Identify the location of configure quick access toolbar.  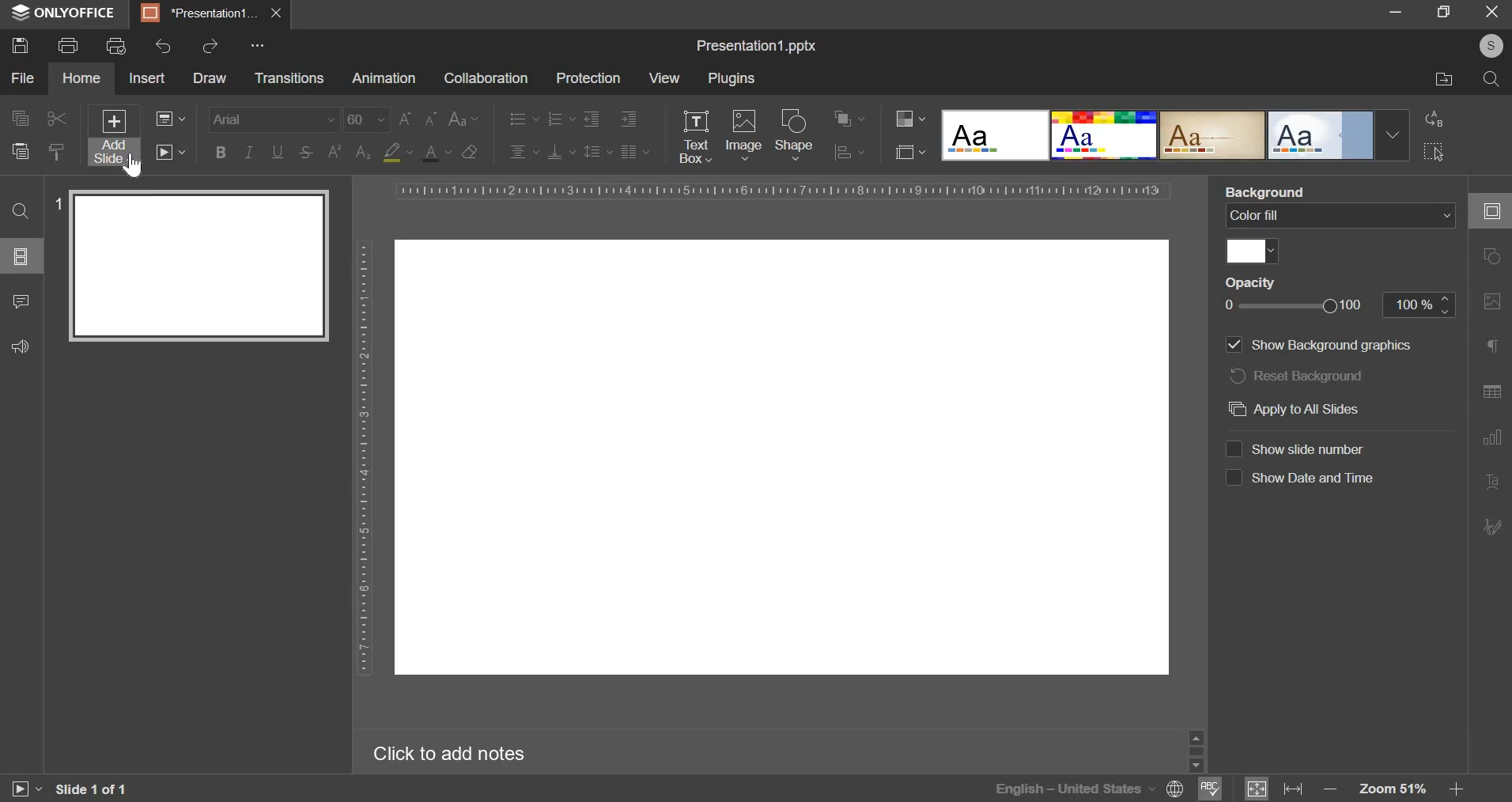
(260, 45).